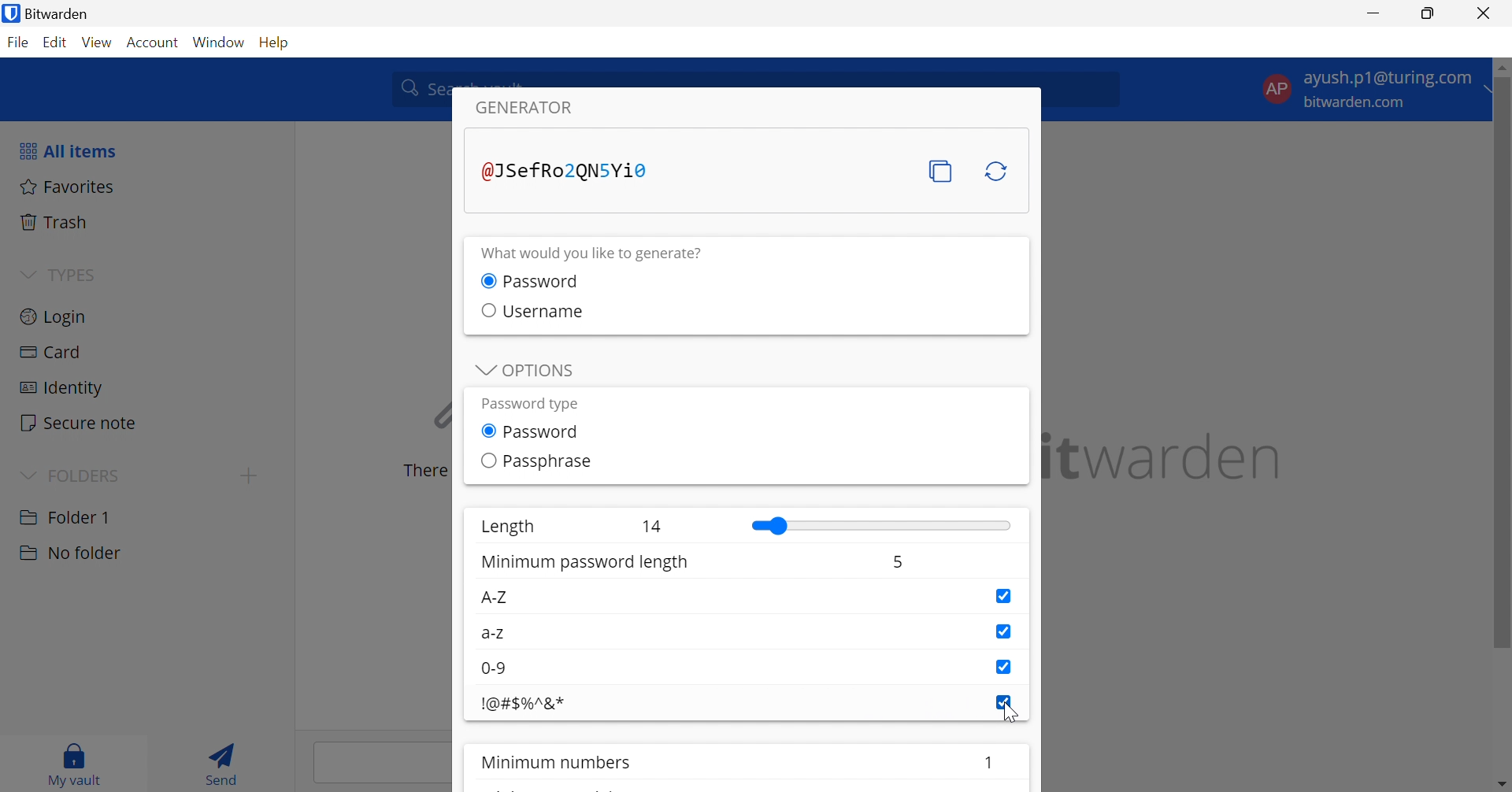  I want to click on move down, so click(1503, 783).